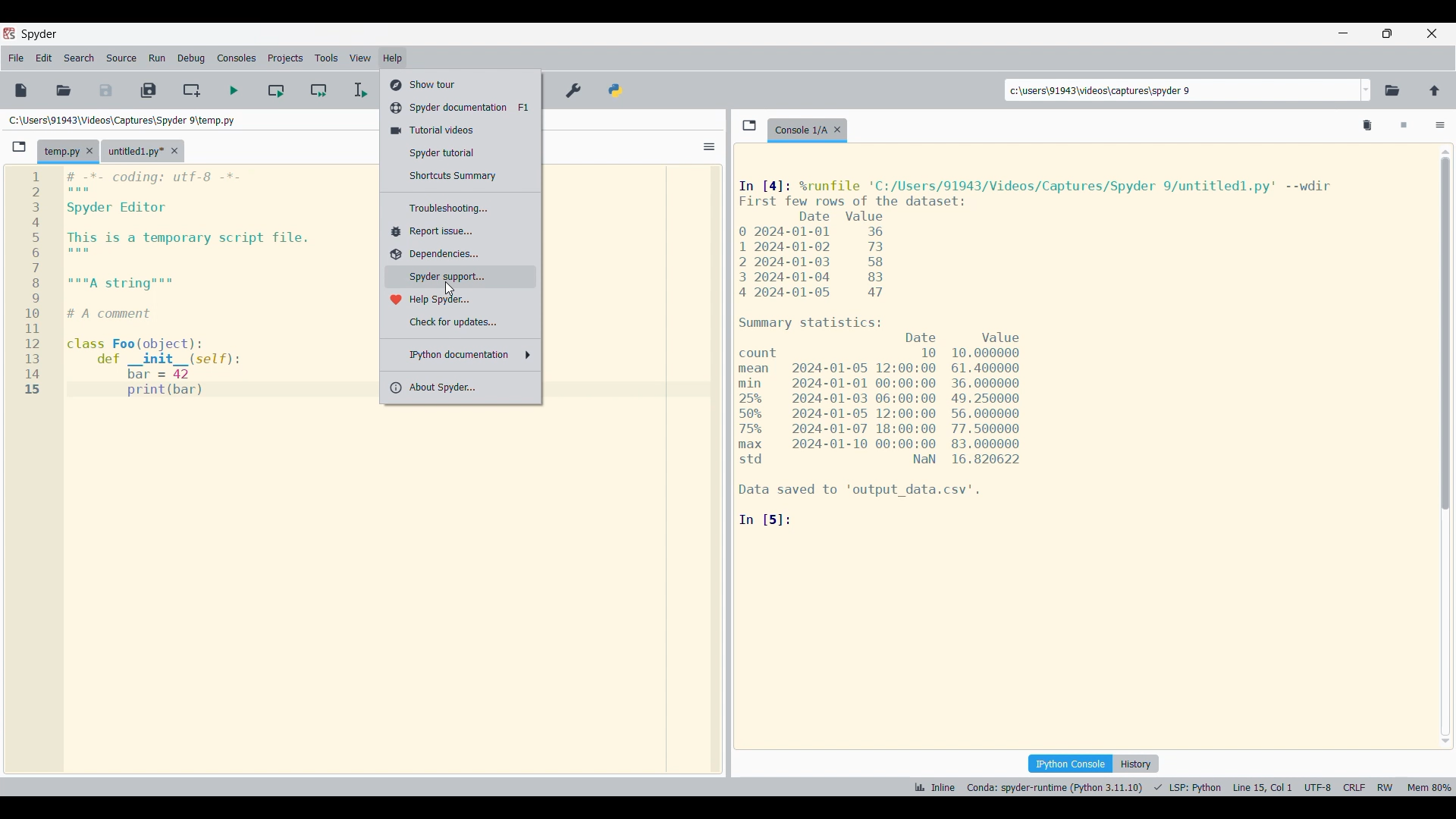 This screenshot has width=1456, height=819. Describe the element at coordinates (1344, 33) in the screenshot. I see `Minimize` at that location.